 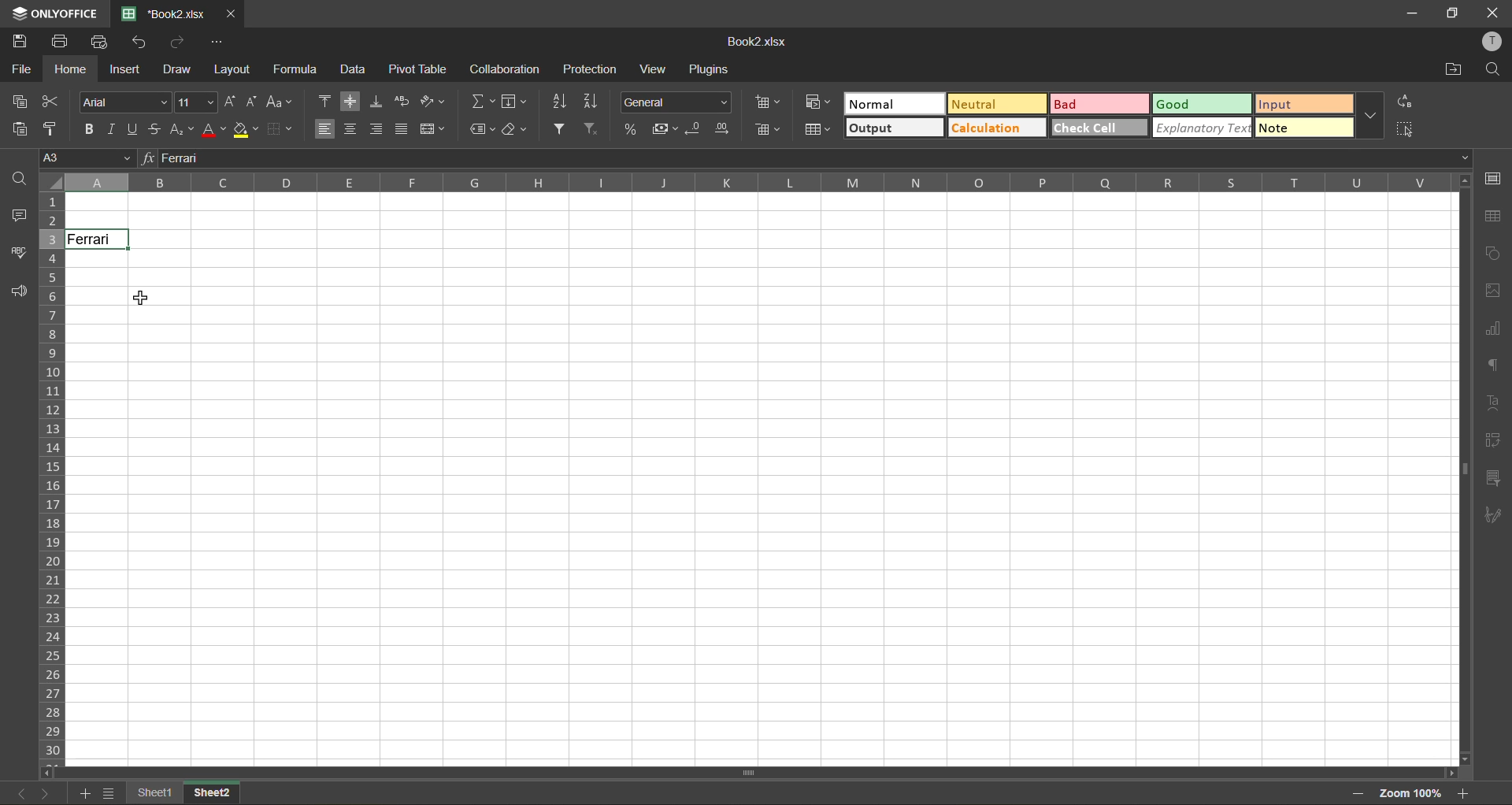 I want to click on home, so click(x=72, y=69).